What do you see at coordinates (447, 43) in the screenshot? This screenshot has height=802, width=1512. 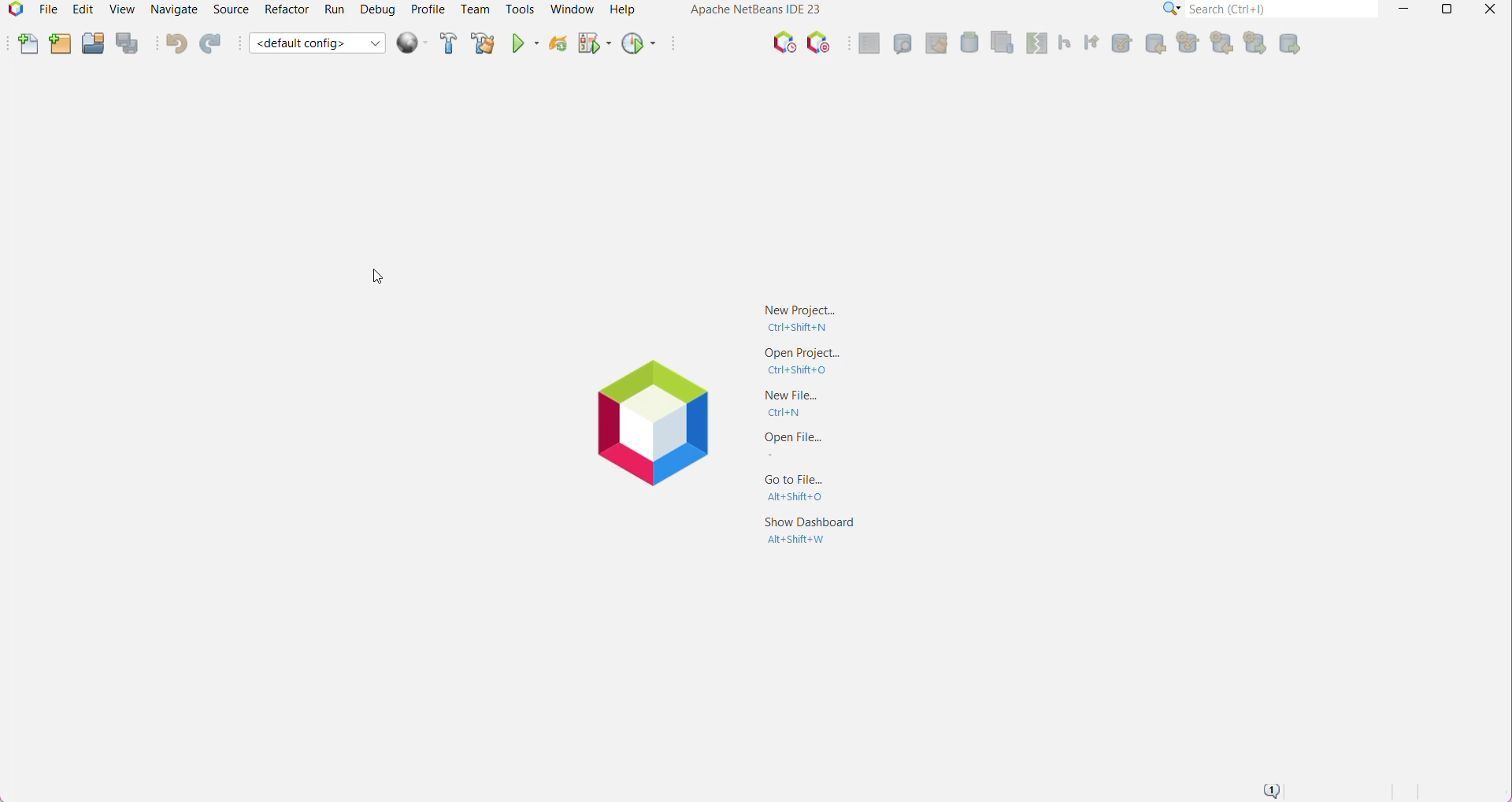 I see `Build Project` at bounding box center [447, 43].